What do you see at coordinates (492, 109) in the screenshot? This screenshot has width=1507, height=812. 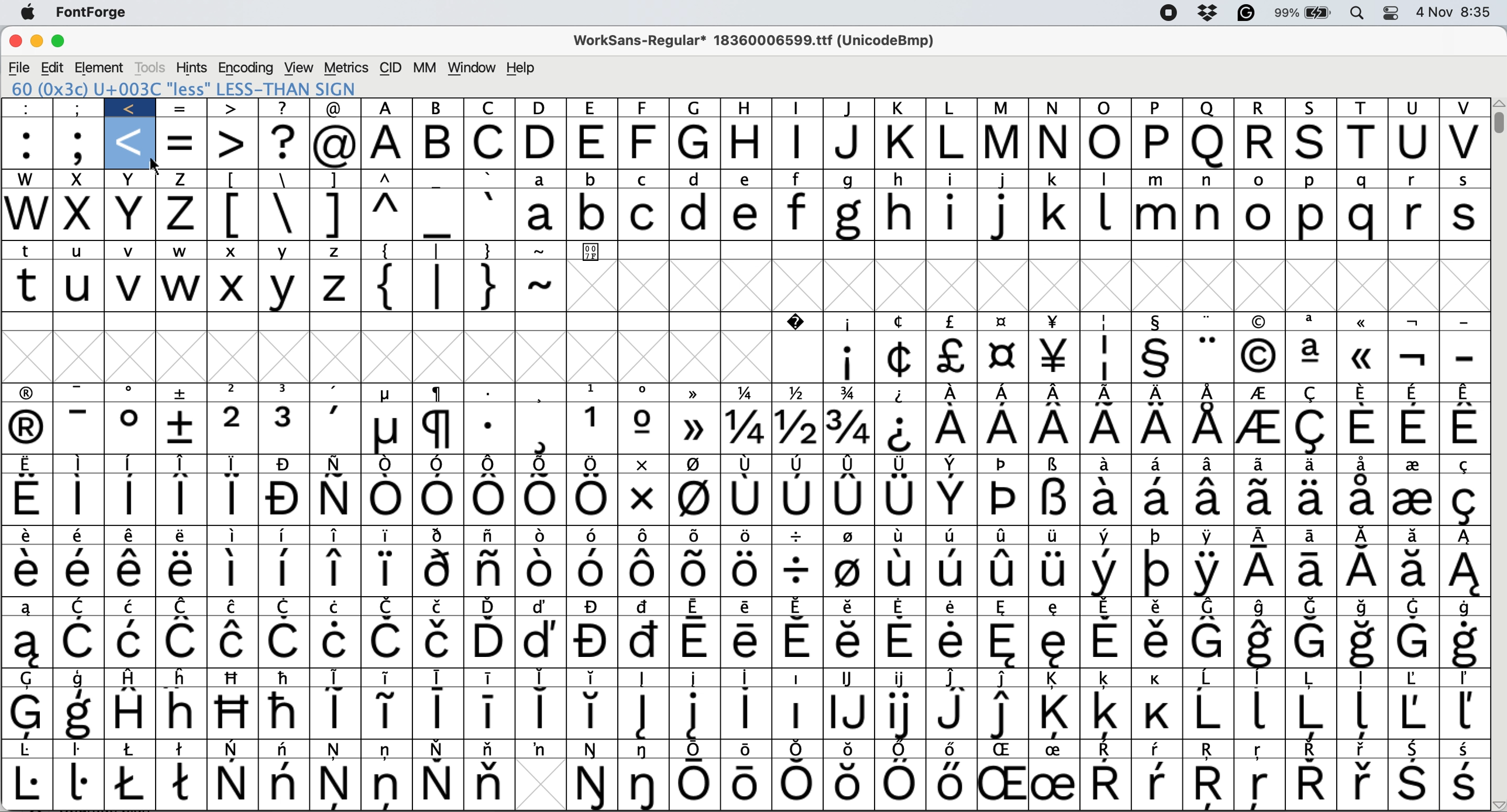 I see `c` at bounding box center [492, 109].